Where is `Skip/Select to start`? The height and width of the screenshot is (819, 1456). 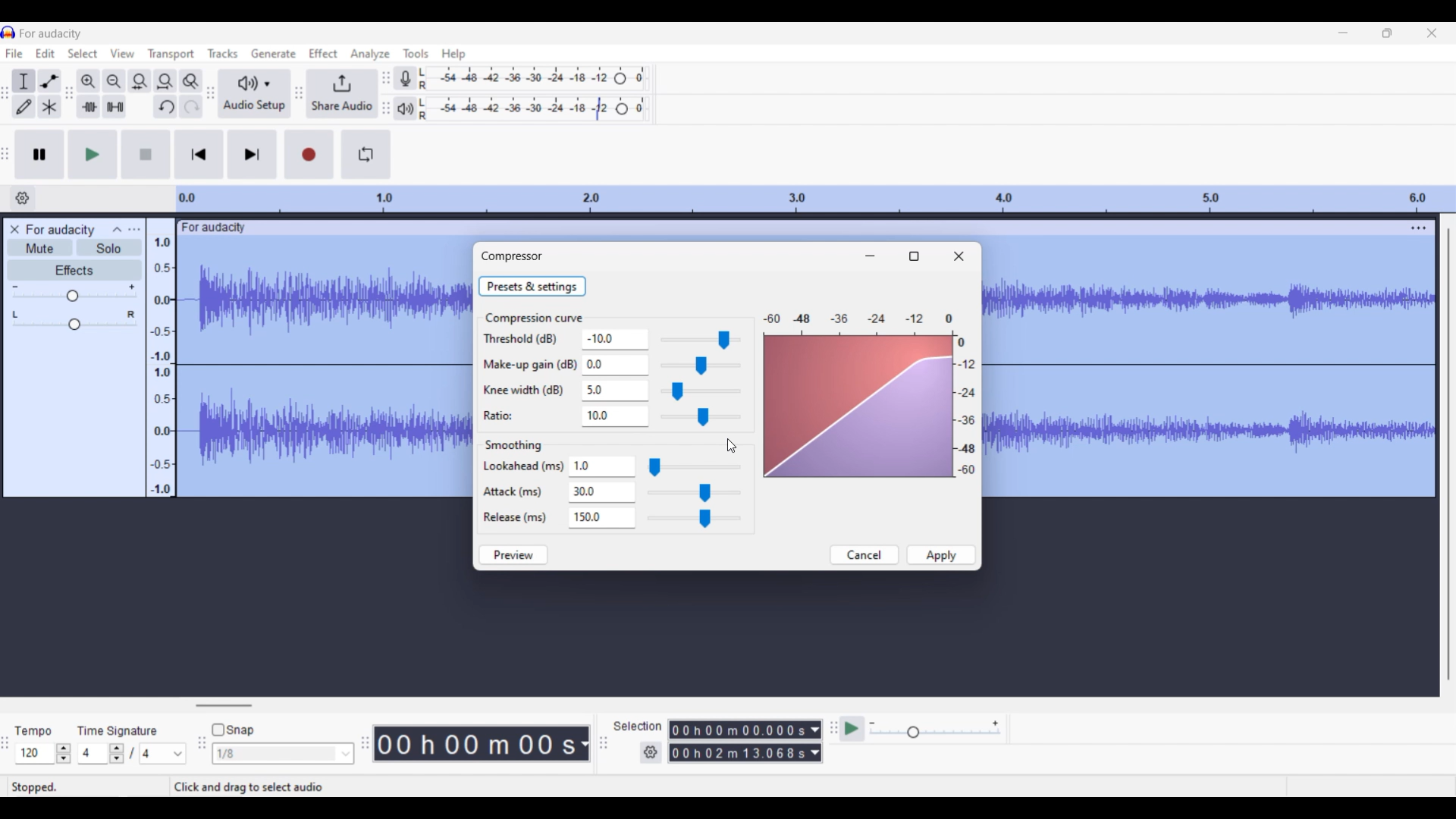 Skip/Select to start is located at coordinates (199, 155).